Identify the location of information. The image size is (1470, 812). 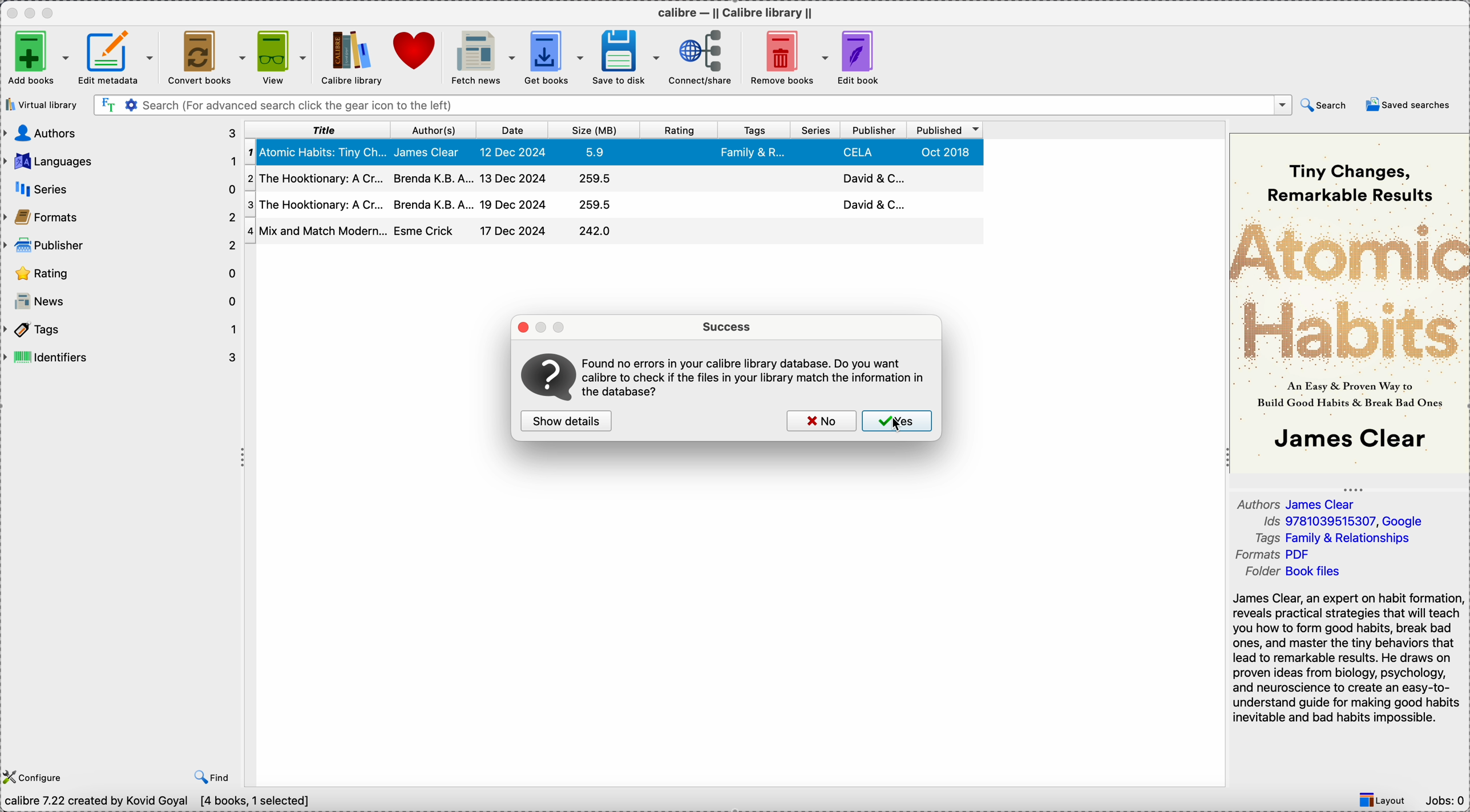
(757, 381).